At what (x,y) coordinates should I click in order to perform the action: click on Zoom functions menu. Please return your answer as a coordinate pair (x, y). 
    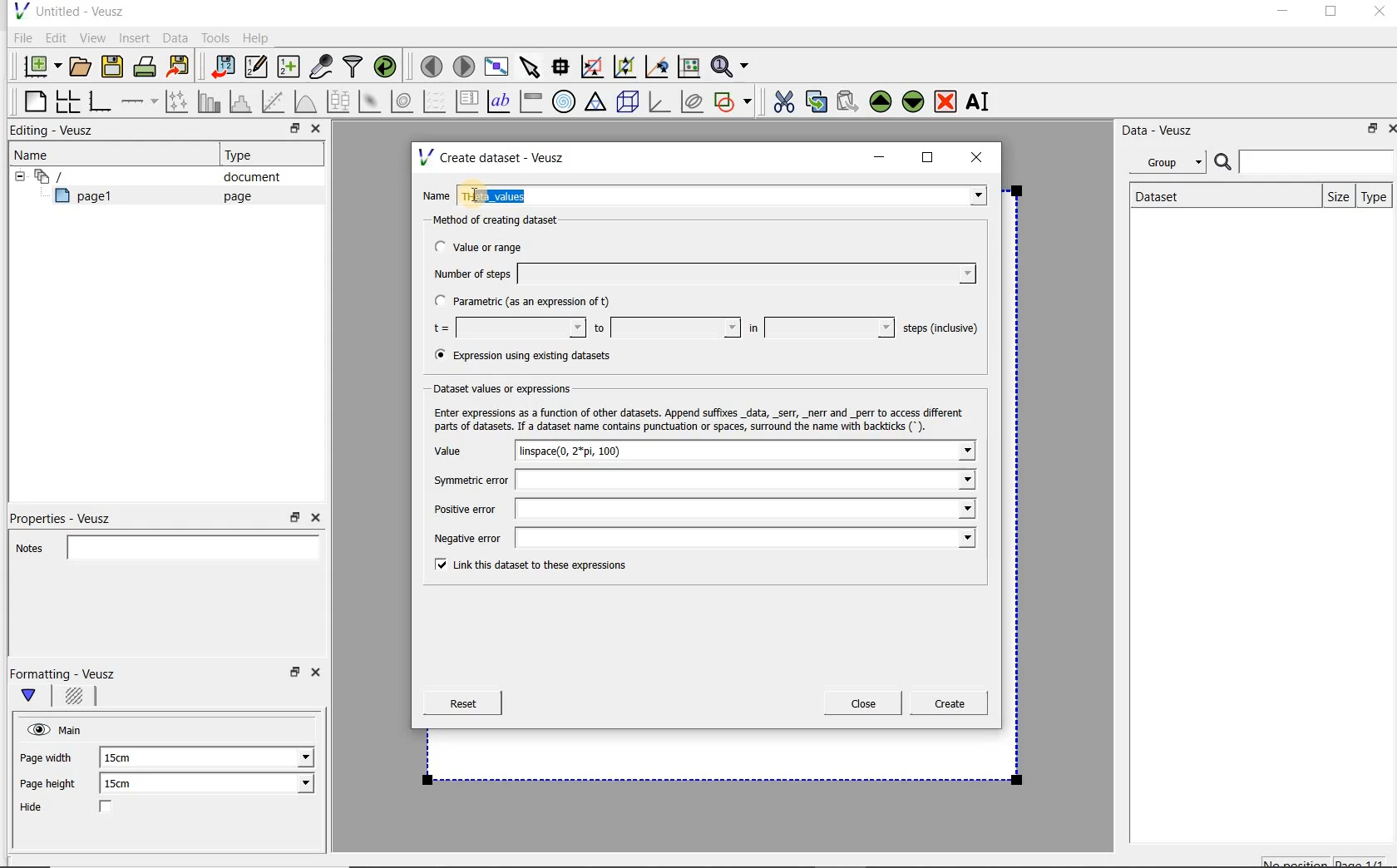
    Looking at the image, I should click on (731, 62).